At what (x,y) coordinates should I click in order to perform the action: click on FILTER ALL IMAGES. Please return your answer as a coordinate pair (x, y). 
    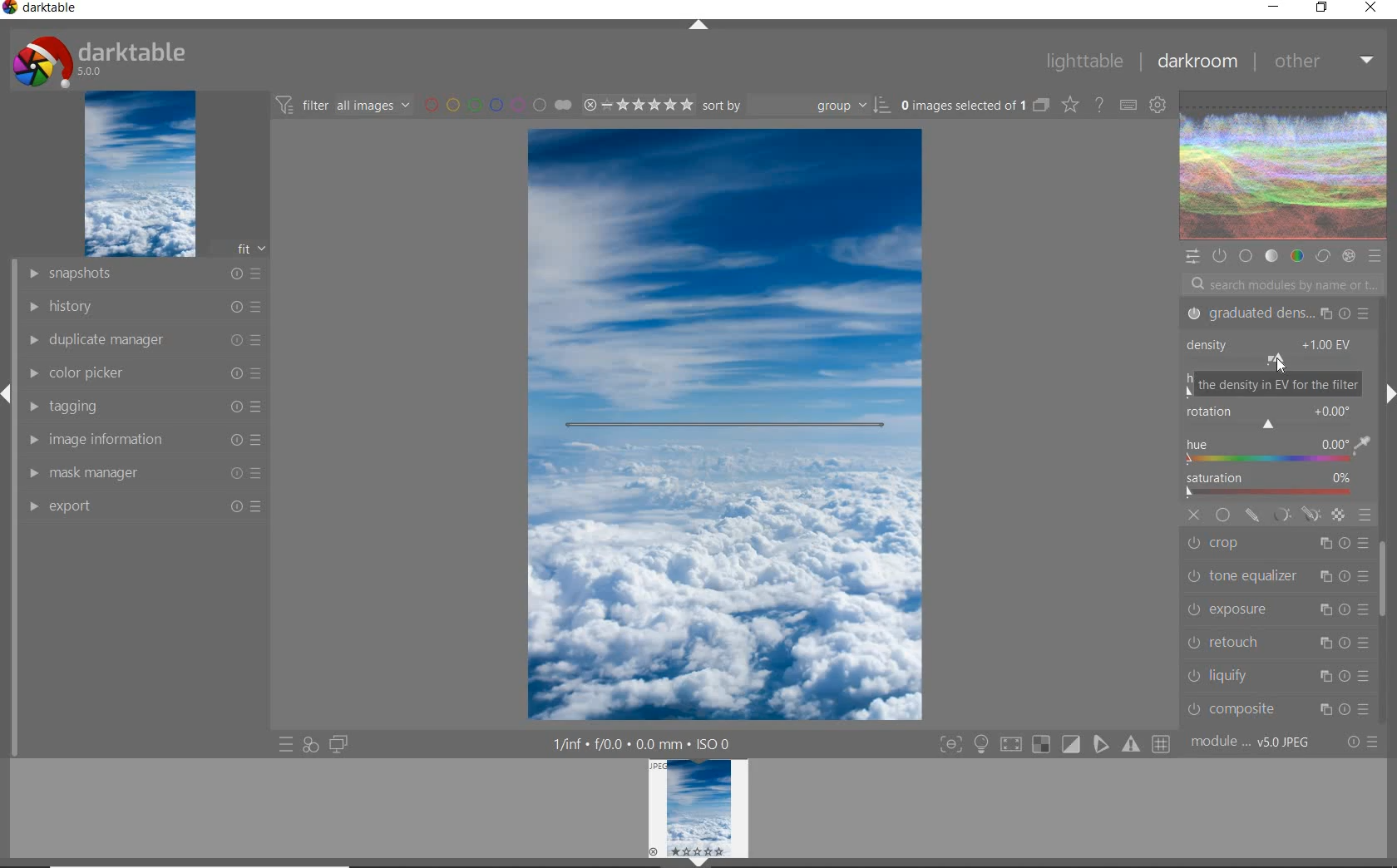
    Looking at the image, I should click on (342, 105).